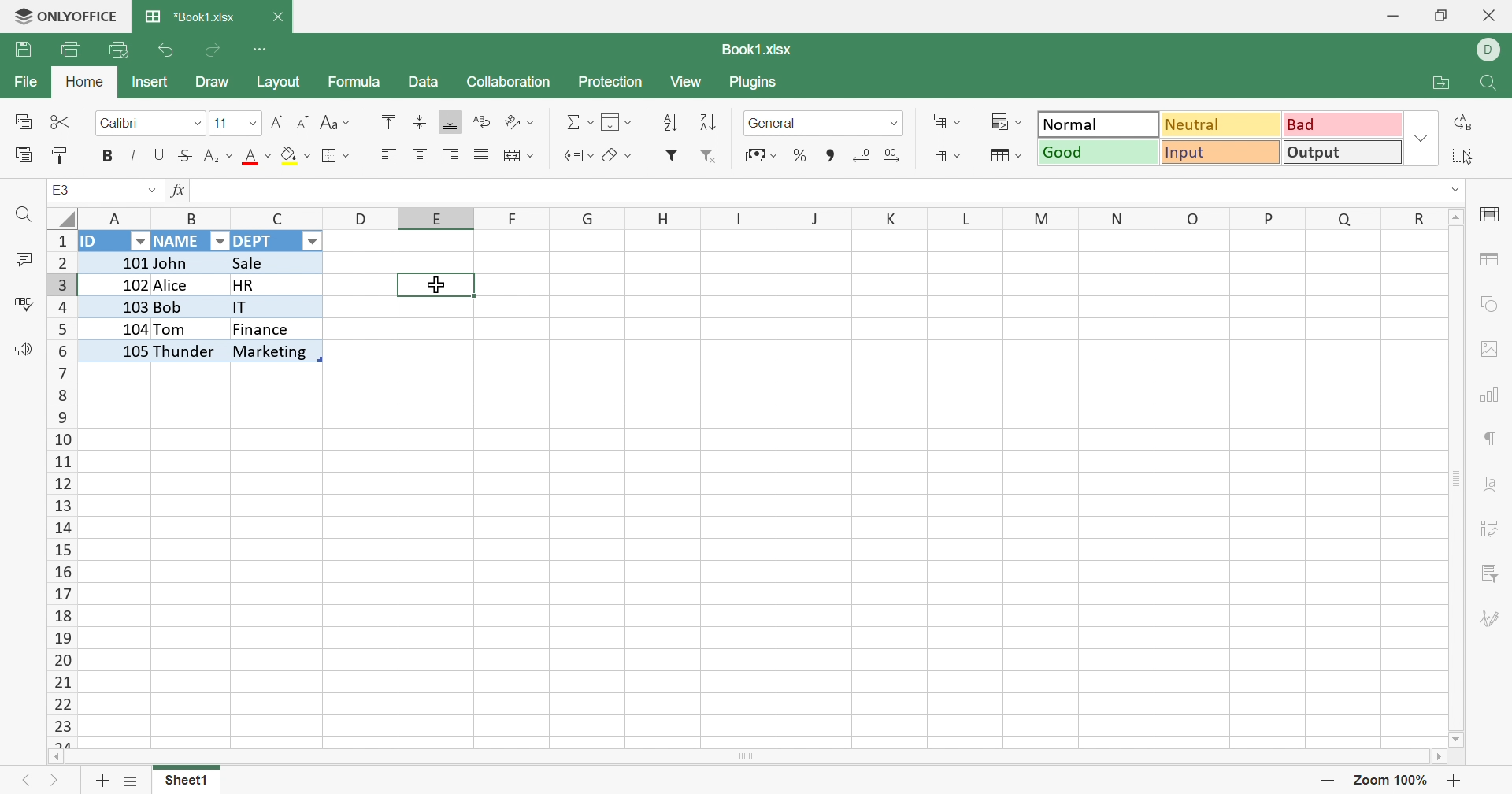 This screenshot has width=1512, height=794. I want to click on Thunder, so click(187, 351).